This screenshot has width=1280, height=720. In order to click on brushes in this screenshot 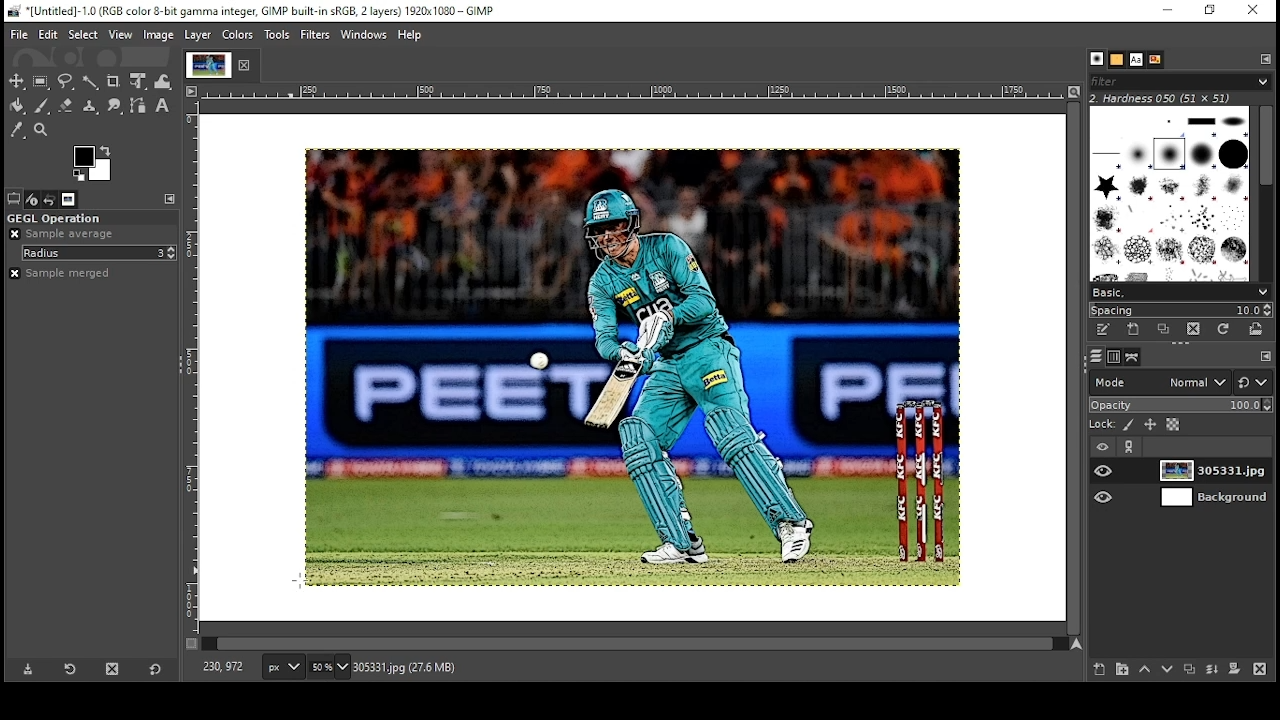, I will do `click(1172, 196)`.